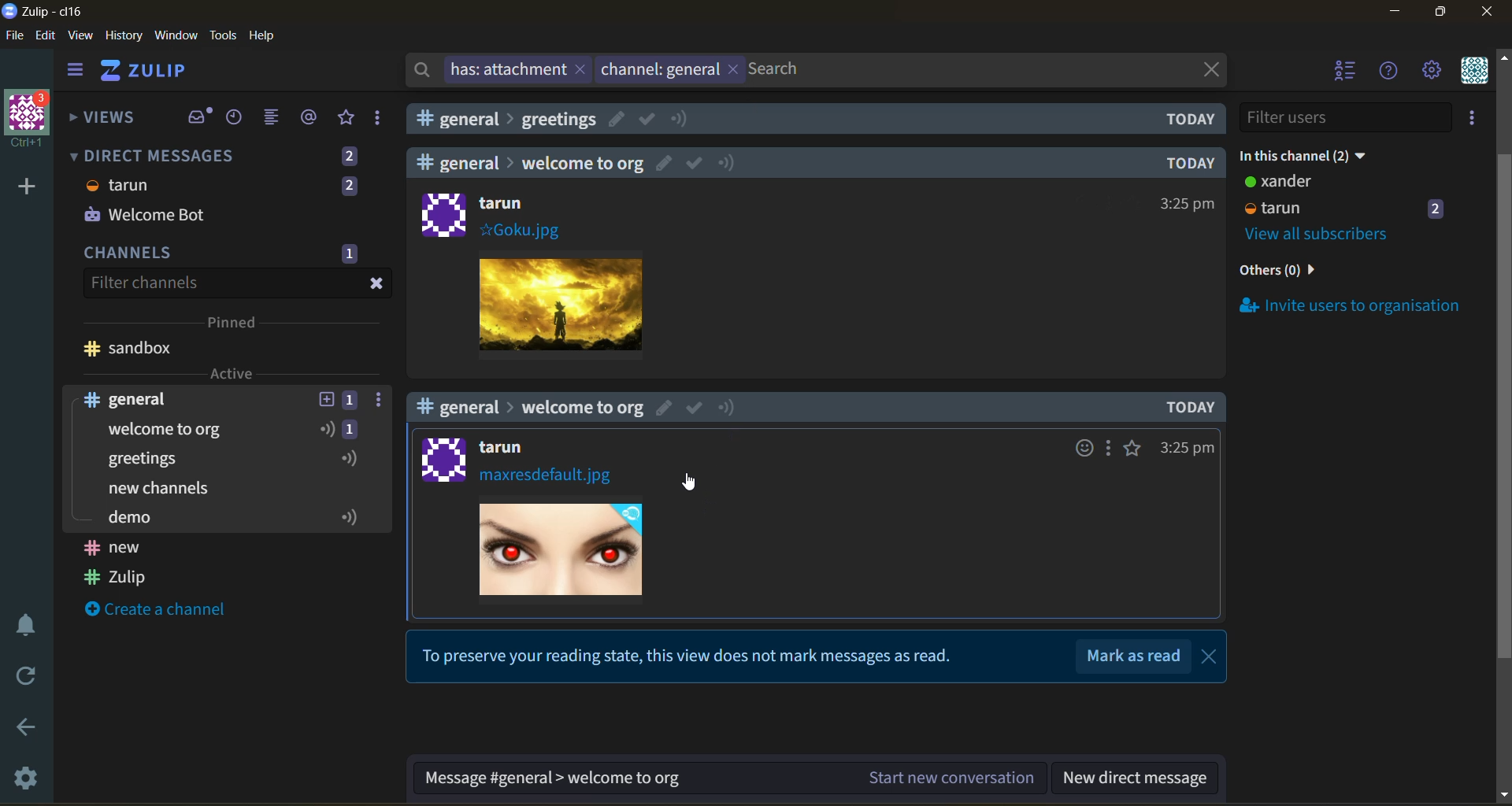 The width and height of the screenshot is (1512, 806). Describe the element at coordinates (76, 72) in the screenshot. I see `hide sidebar` at that location.